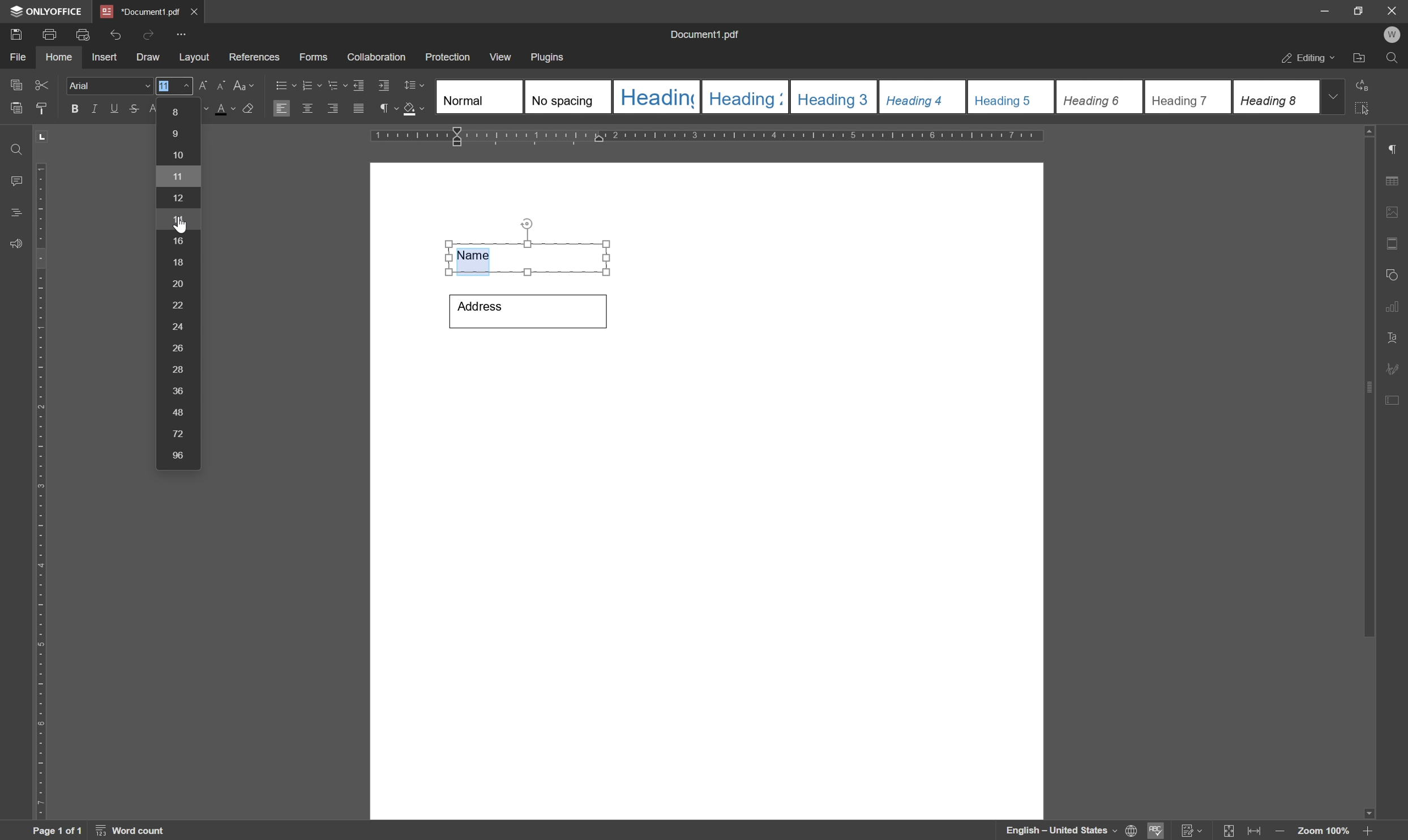 This screenshot has height=840, width=1408. Describe the element at coordinates (1191, 831) in the screenshot. I see `track changes` at that location.